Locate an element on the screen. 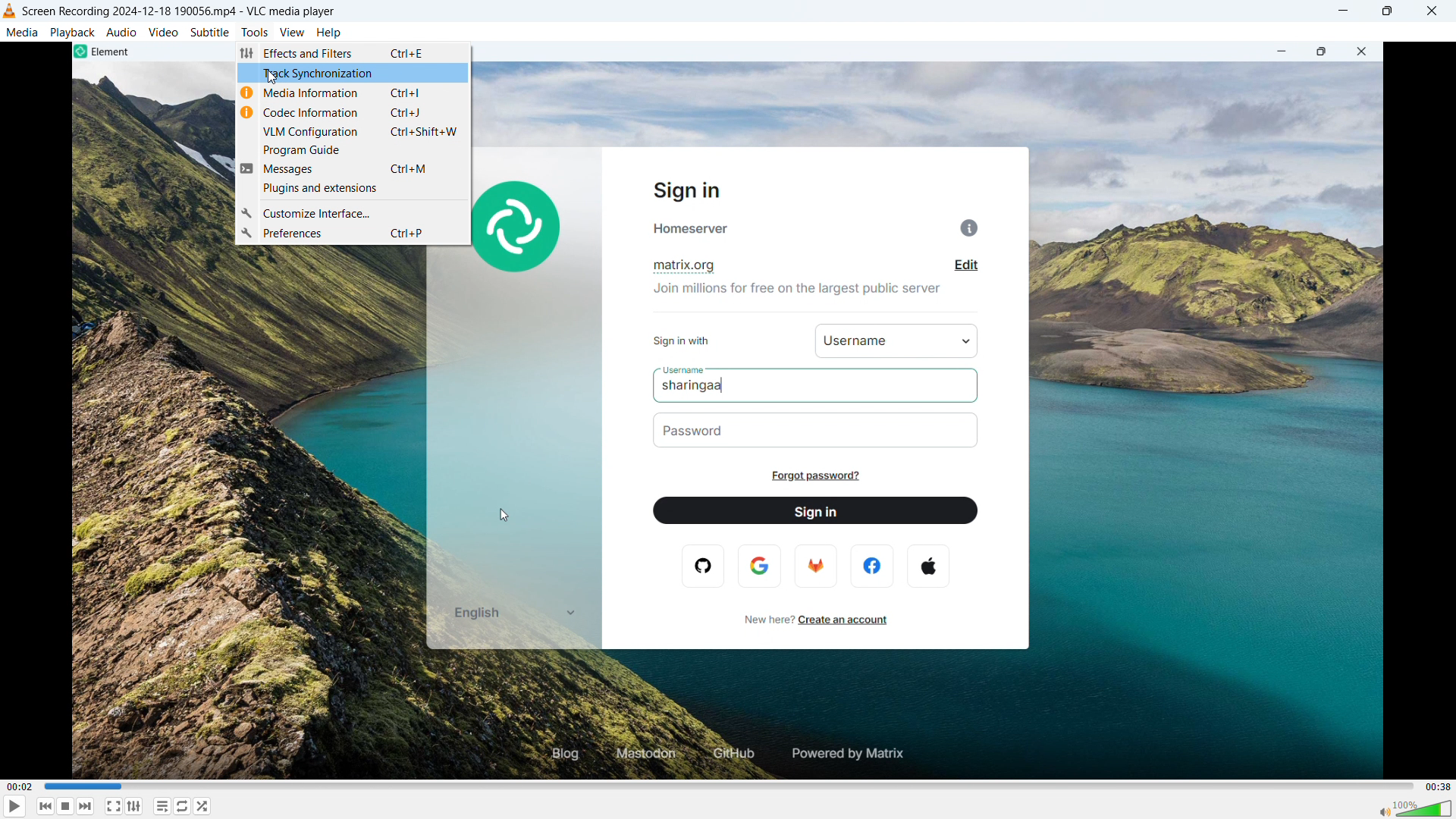 This screenshot has height=819, width=1456. opera logo is located at coordinates (704, 565).